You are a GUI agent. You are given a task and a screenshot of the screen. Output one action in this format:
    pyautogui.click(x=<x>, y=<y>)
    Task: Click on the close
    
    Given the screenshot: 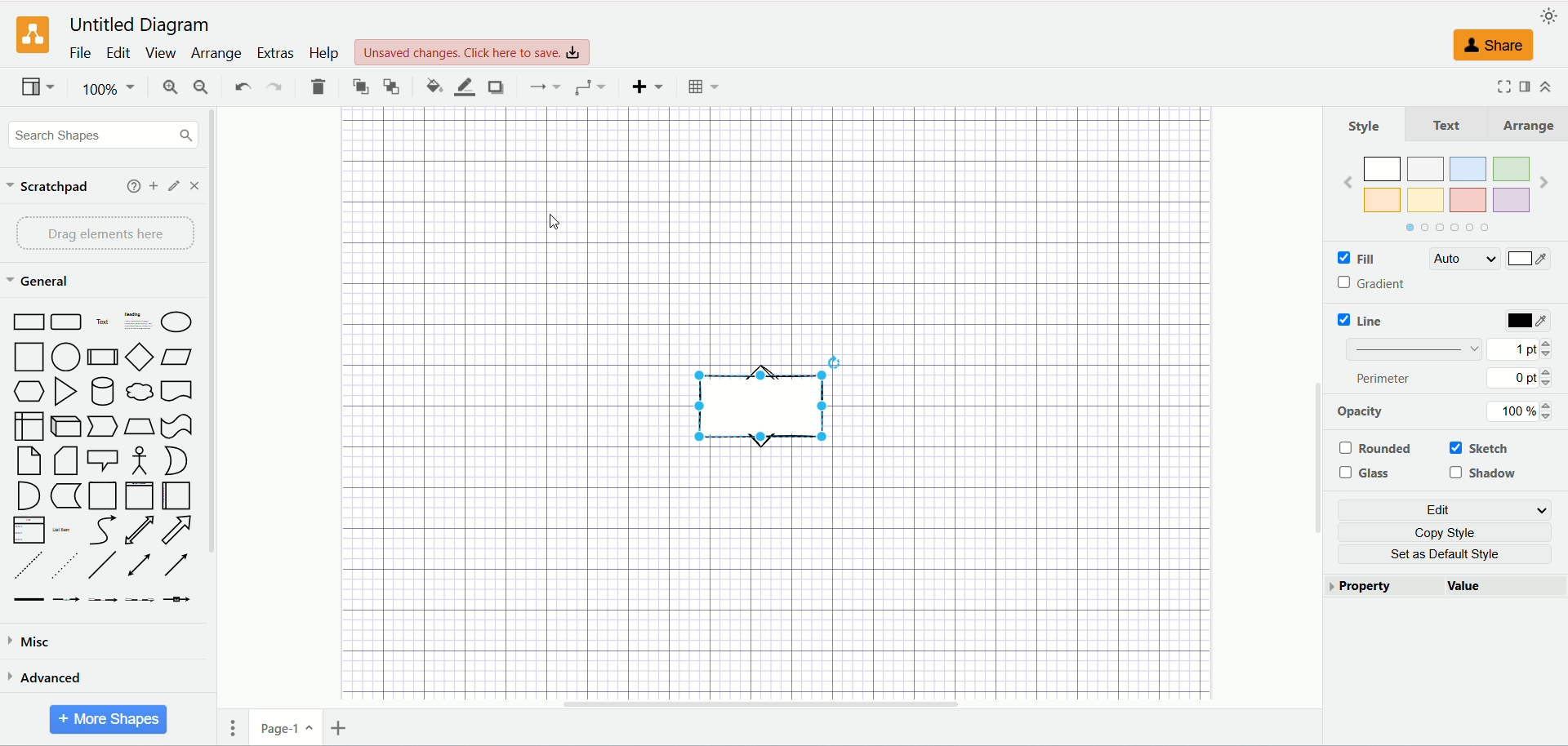 What is the action you would take?
    pyautogui.click(x=194, y=186)
    